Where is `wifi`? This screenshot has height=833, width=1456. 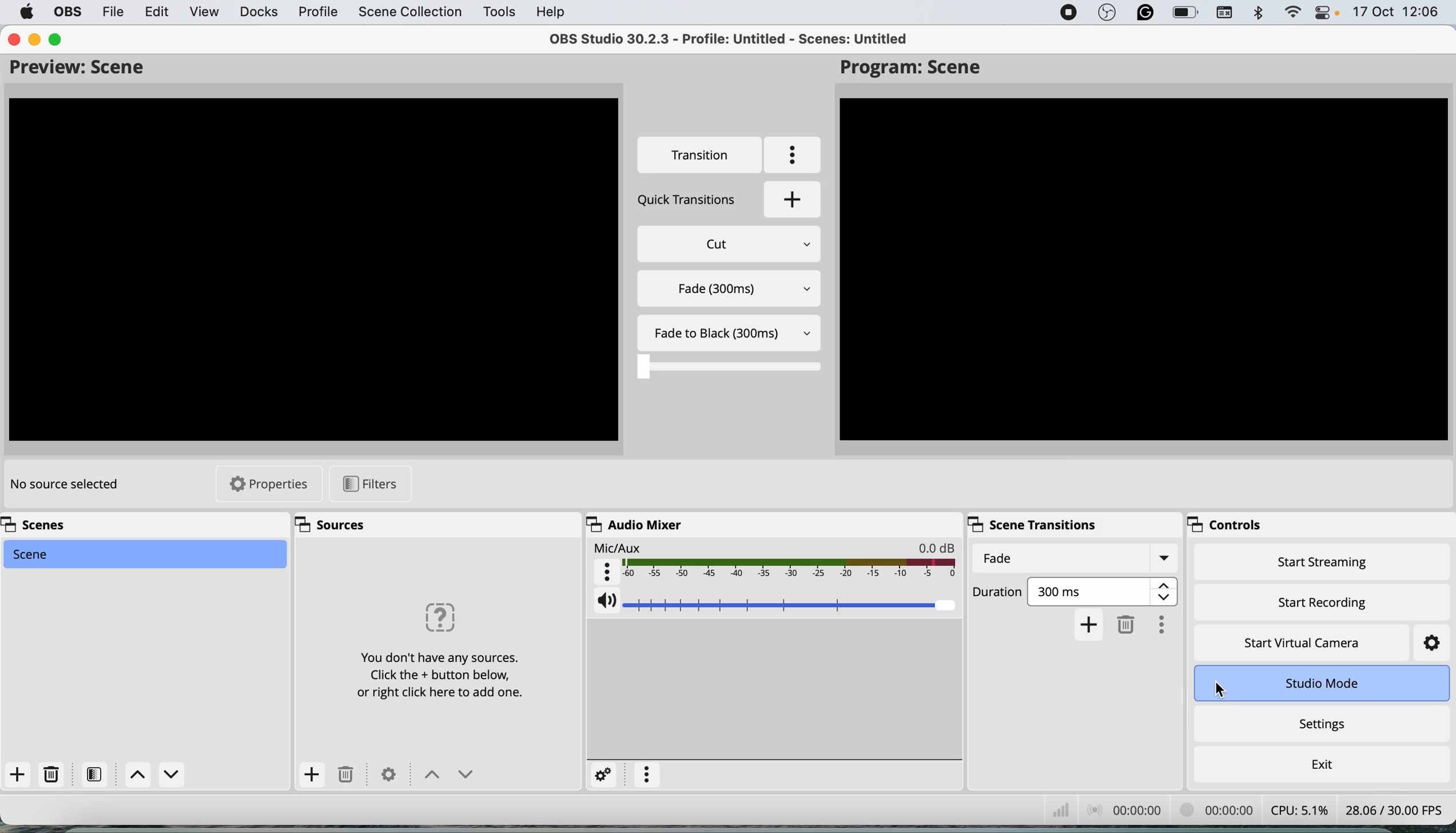 wifi is located at coordinates (1292, 13).